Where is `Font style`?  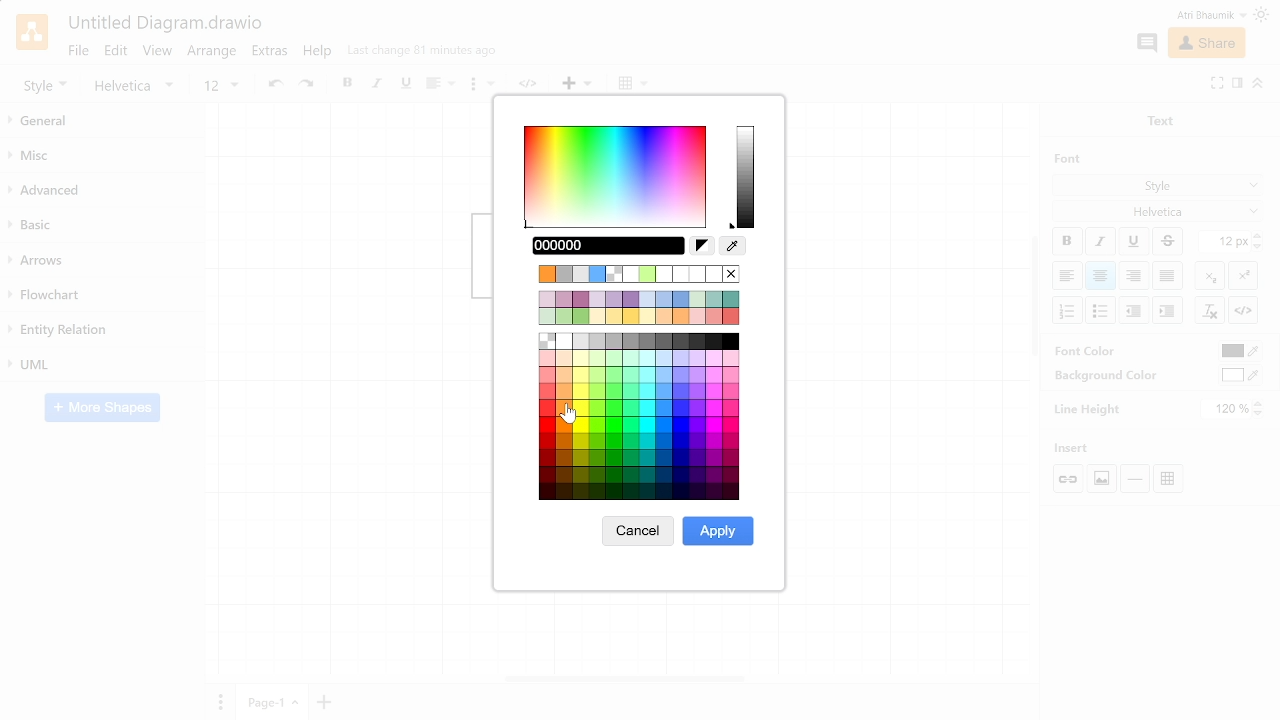
Font style is located at coordinates (1159, 187).